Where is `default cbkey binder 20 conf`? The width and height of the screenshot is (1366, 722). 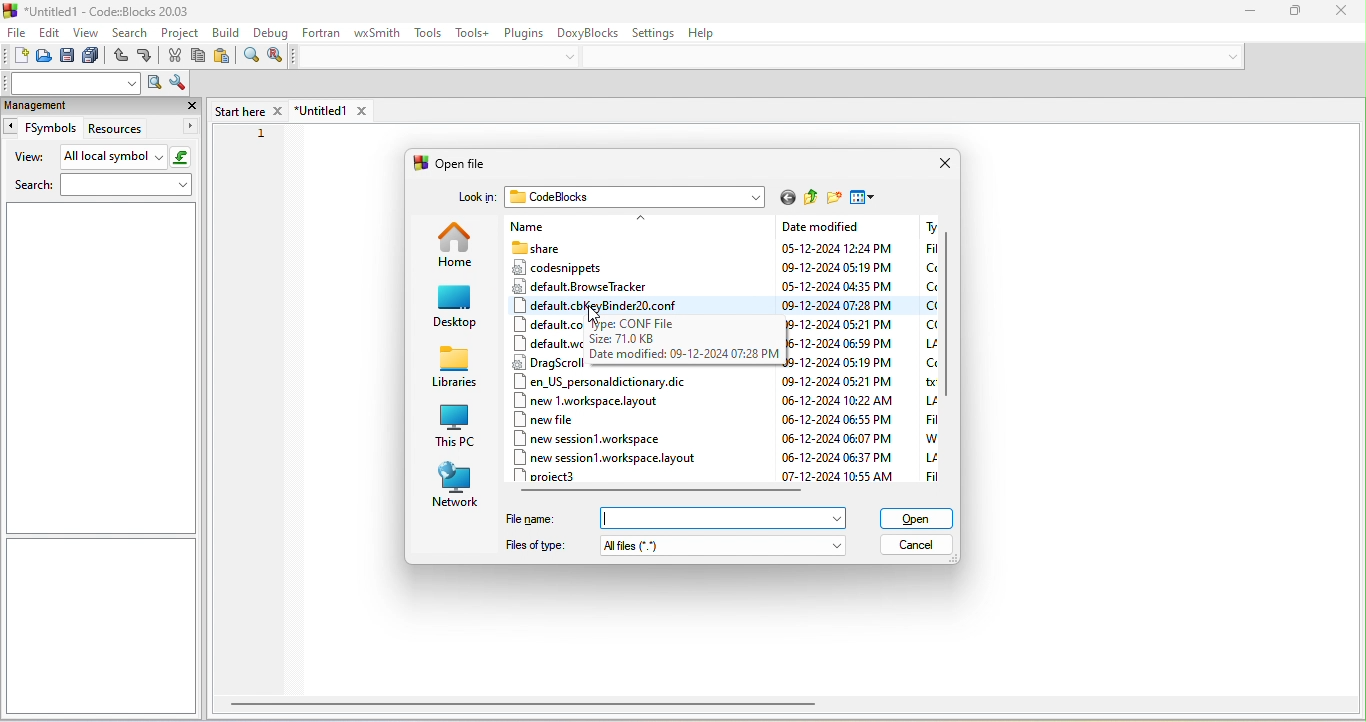
default cbkey binder 20 conf is located at coordinates (643, 306).